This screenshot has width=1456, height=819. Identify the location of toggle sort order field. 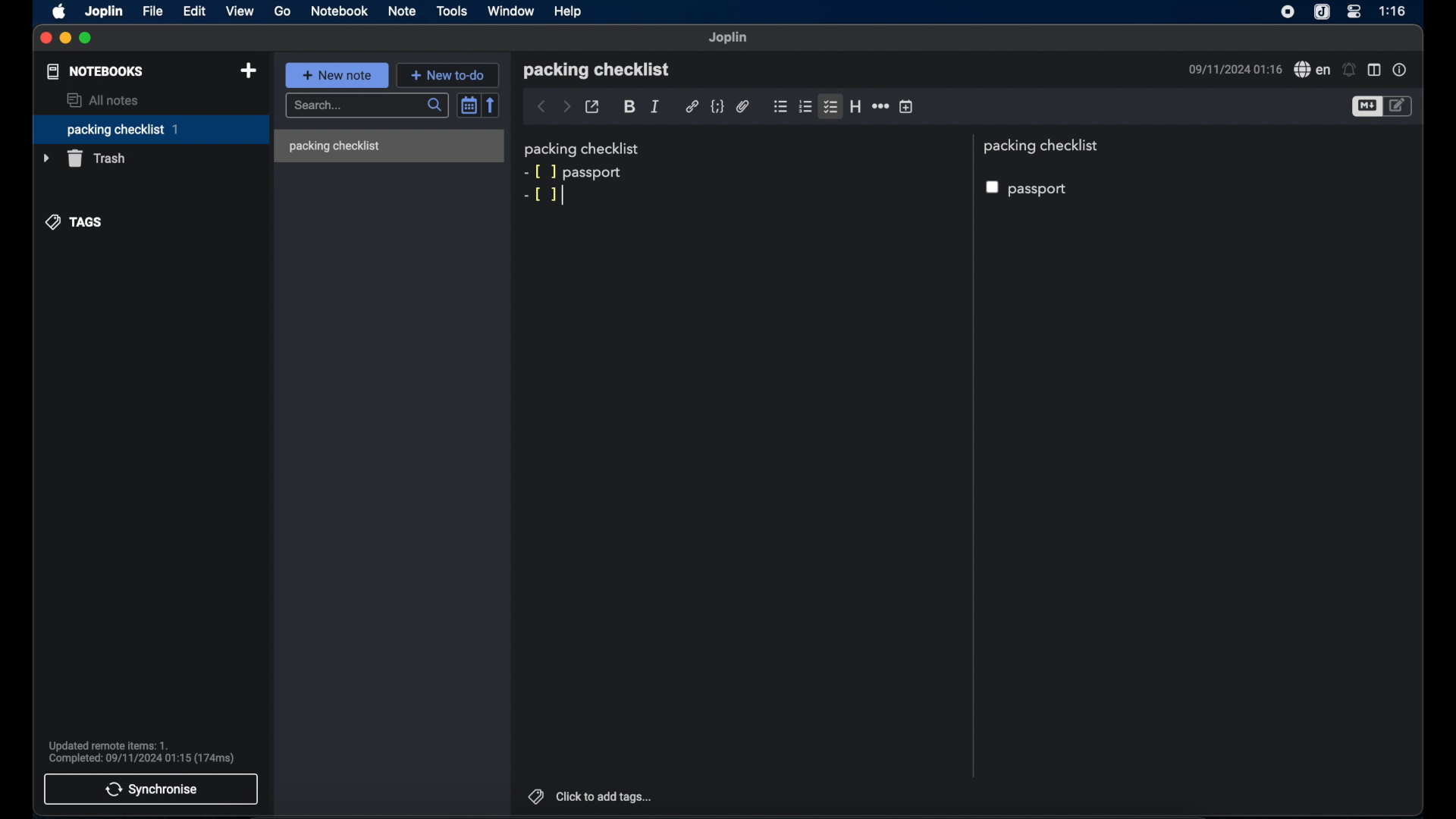
(468, 105).